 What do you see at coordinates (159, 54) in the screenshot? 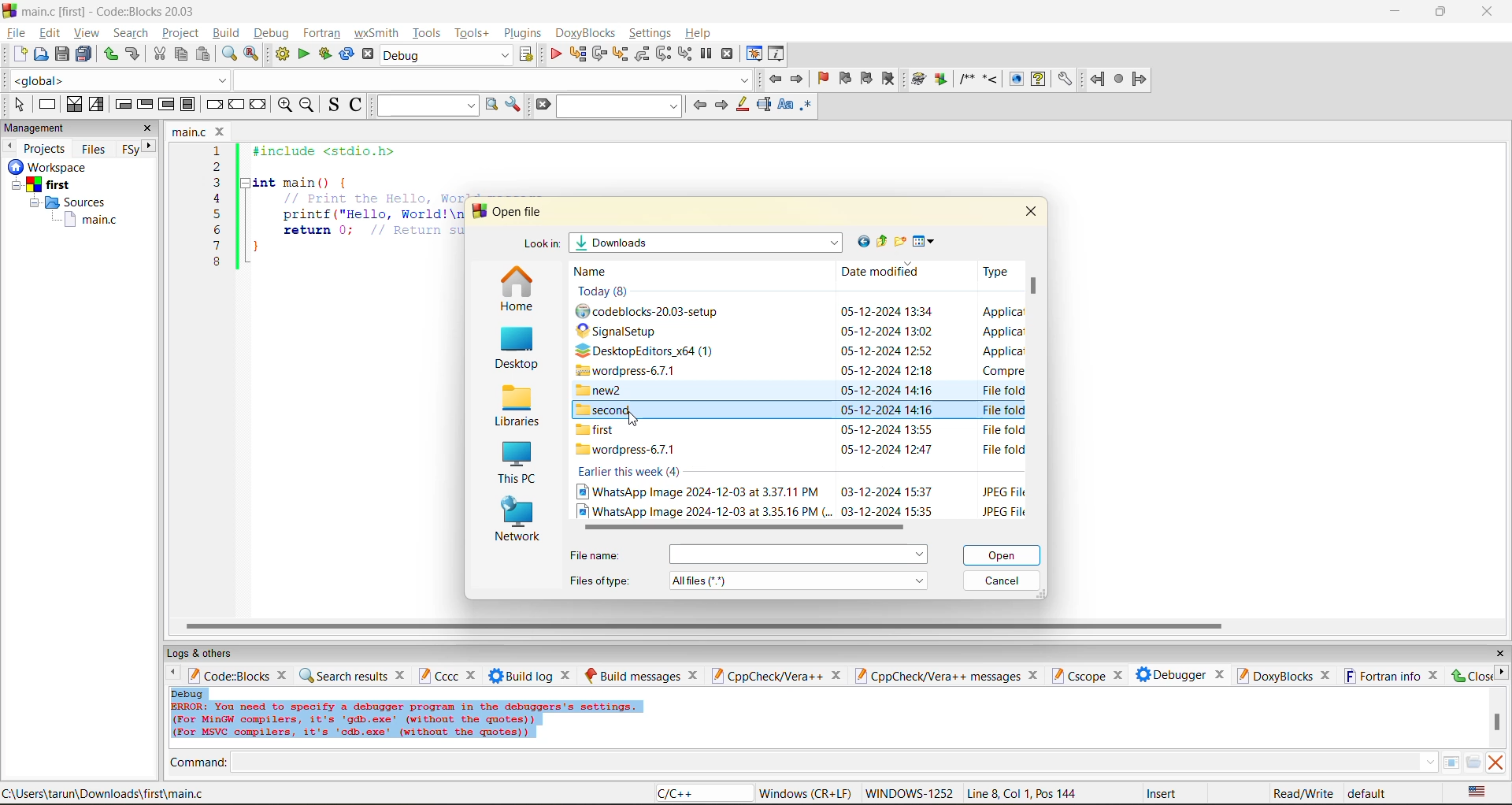
I see `cut` at bounding box center [159, 54].